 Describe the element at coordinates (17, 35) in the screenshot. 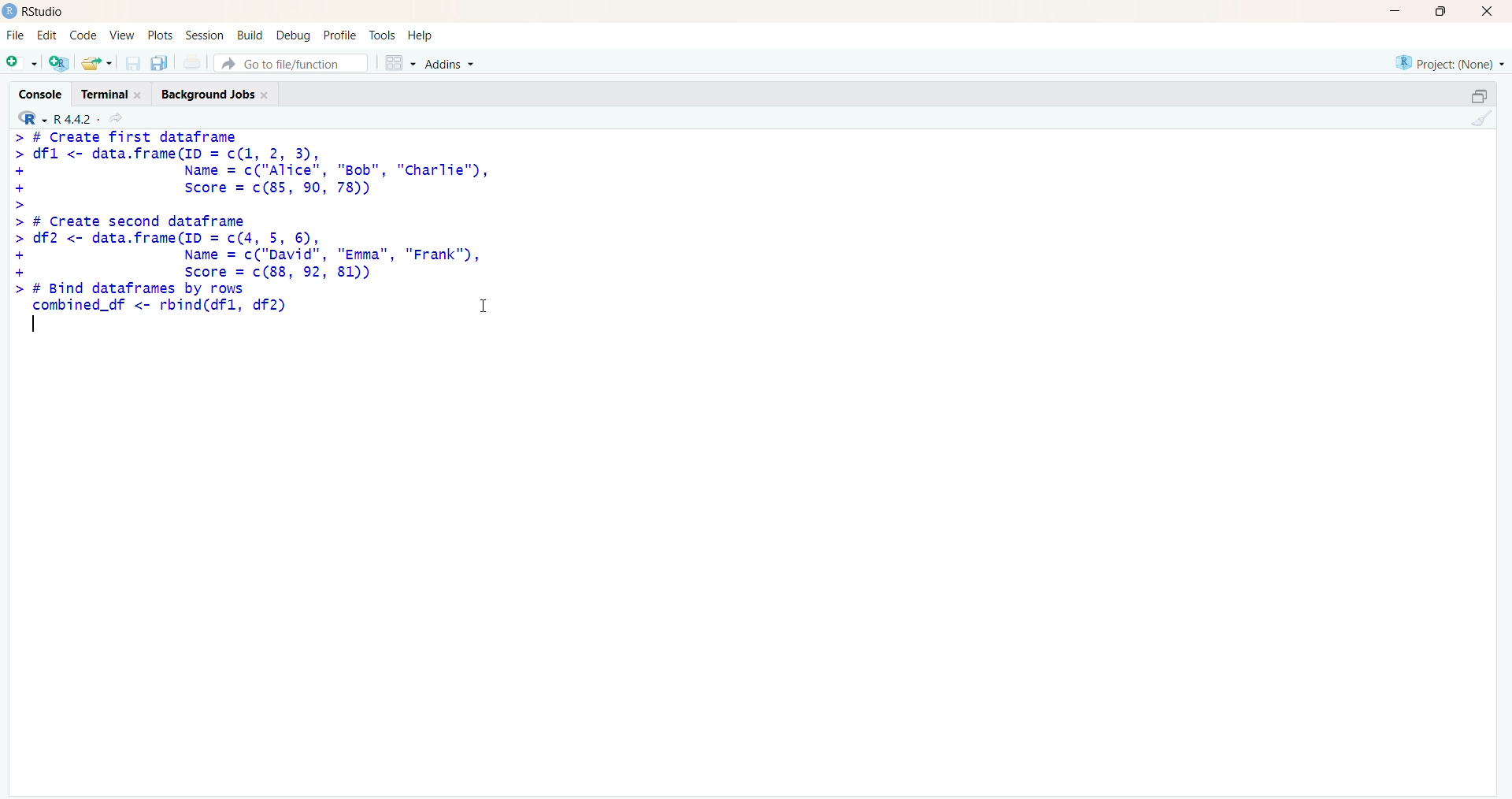

I see `File` at that location.